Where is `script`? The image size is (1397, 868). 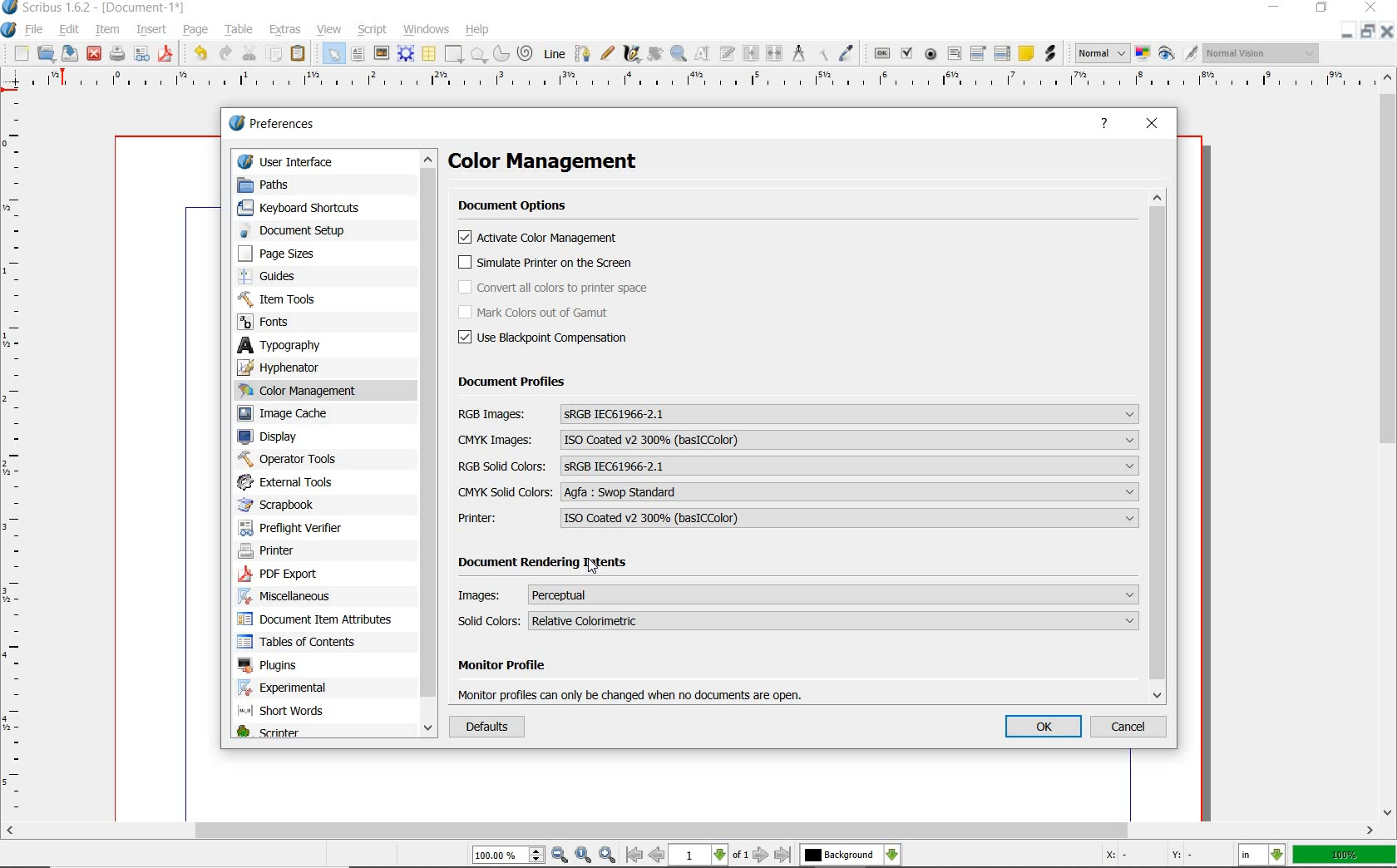
script is located at coordinates (373, 30).